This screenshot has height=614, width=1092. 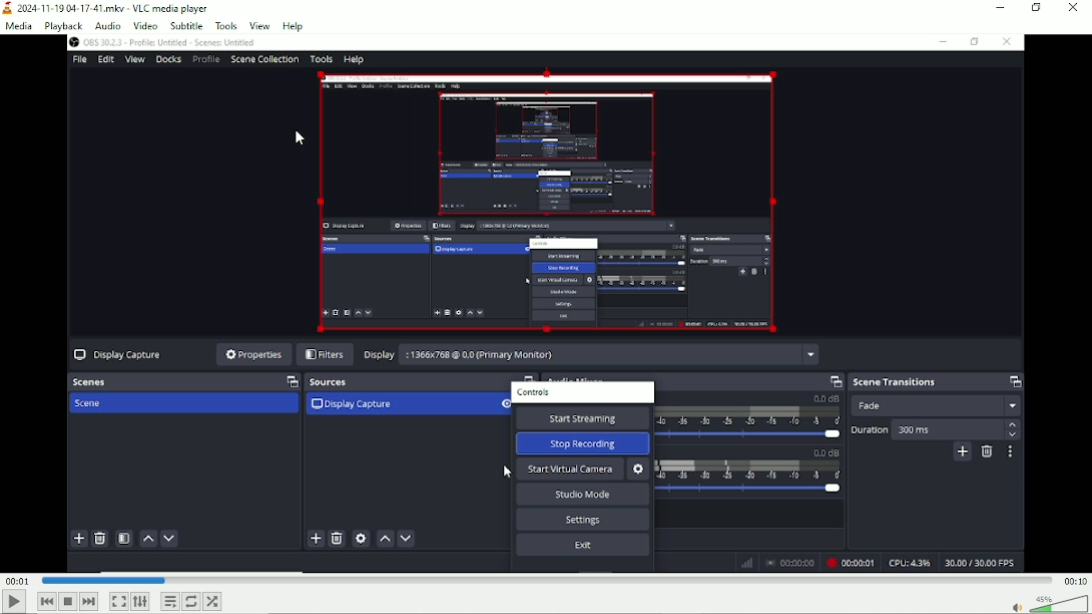 What do you see at coordinates (187, 25) in the screenshot?
I see `Subtitle` at bounding box center [187, 25].